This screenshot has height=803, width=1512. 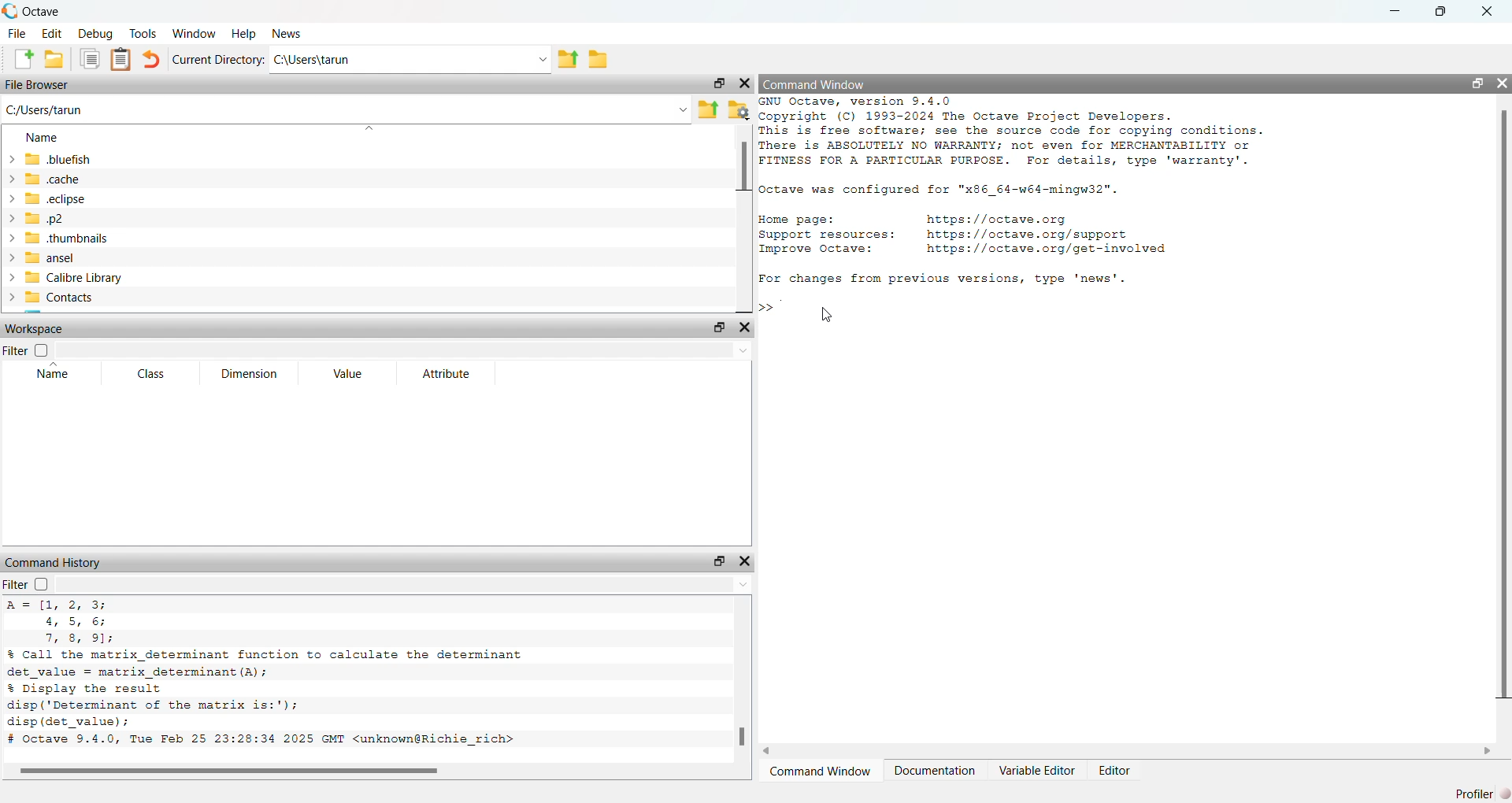 I want to click on current directory, so click(x=218, y=58).